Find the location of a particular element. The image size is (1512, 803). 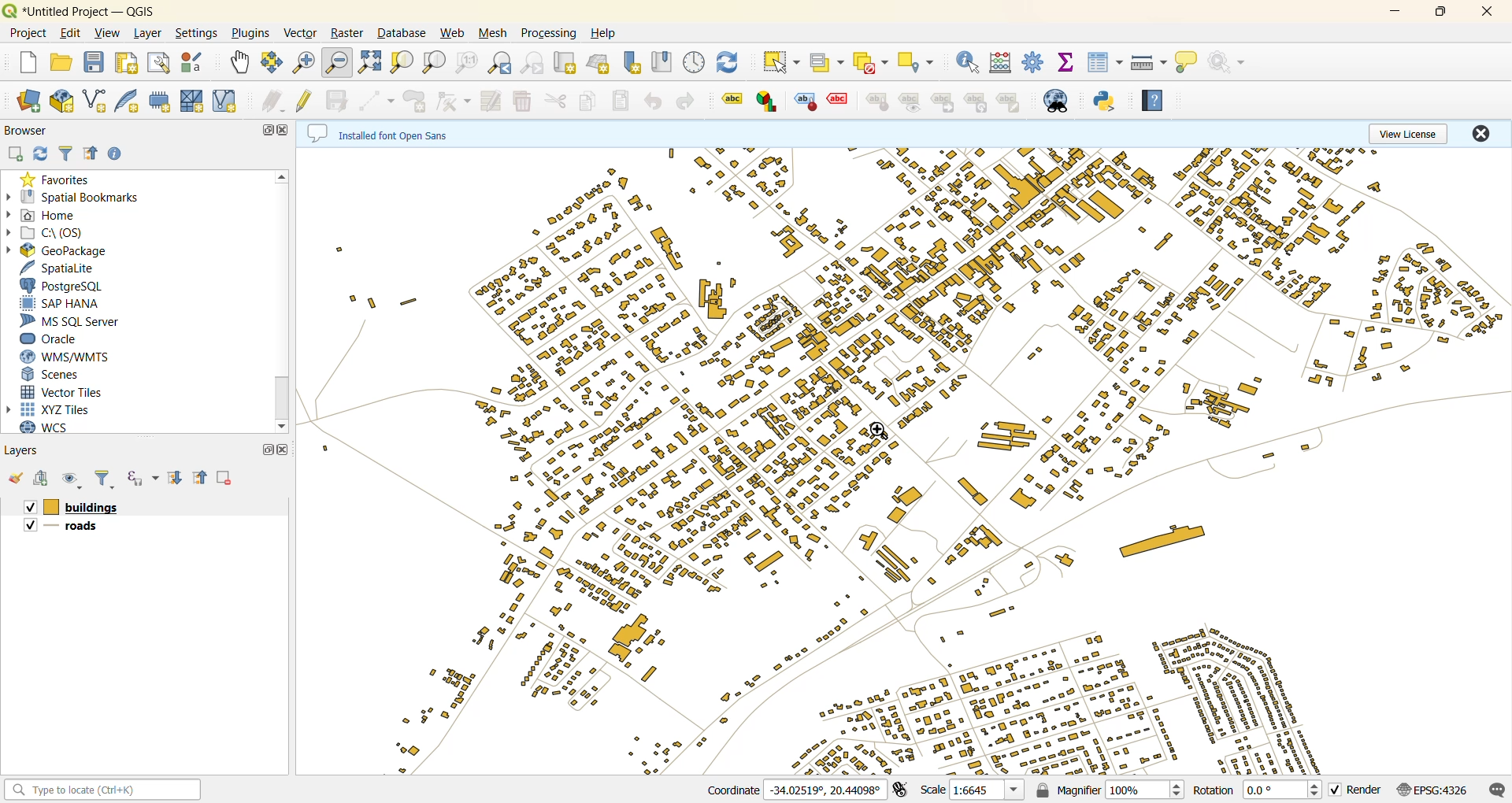

zoom next is located at coordinates (534, 62).